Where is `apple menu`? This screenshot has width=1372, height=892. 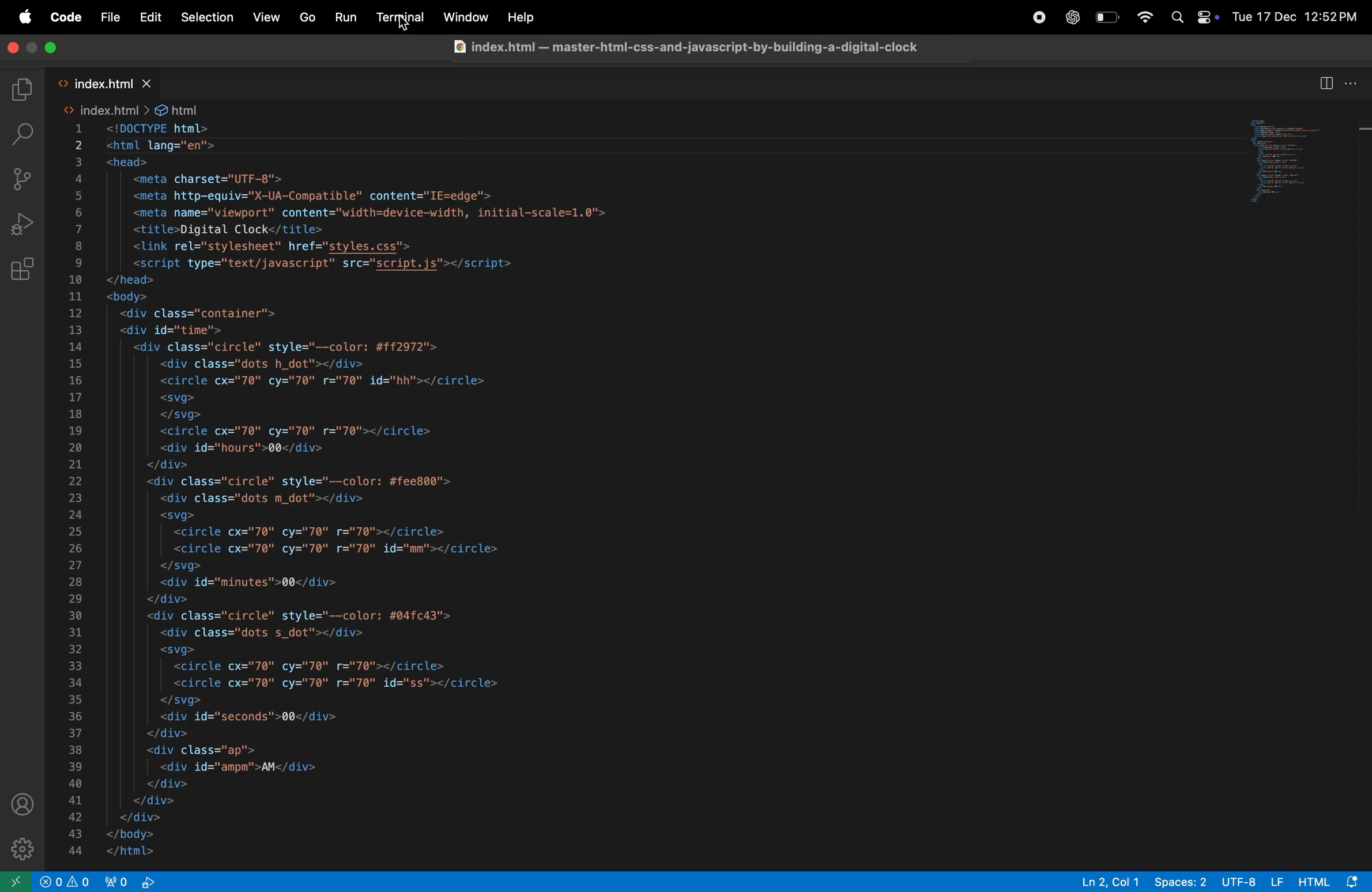
apple menu is located at coordinates (24, 18).